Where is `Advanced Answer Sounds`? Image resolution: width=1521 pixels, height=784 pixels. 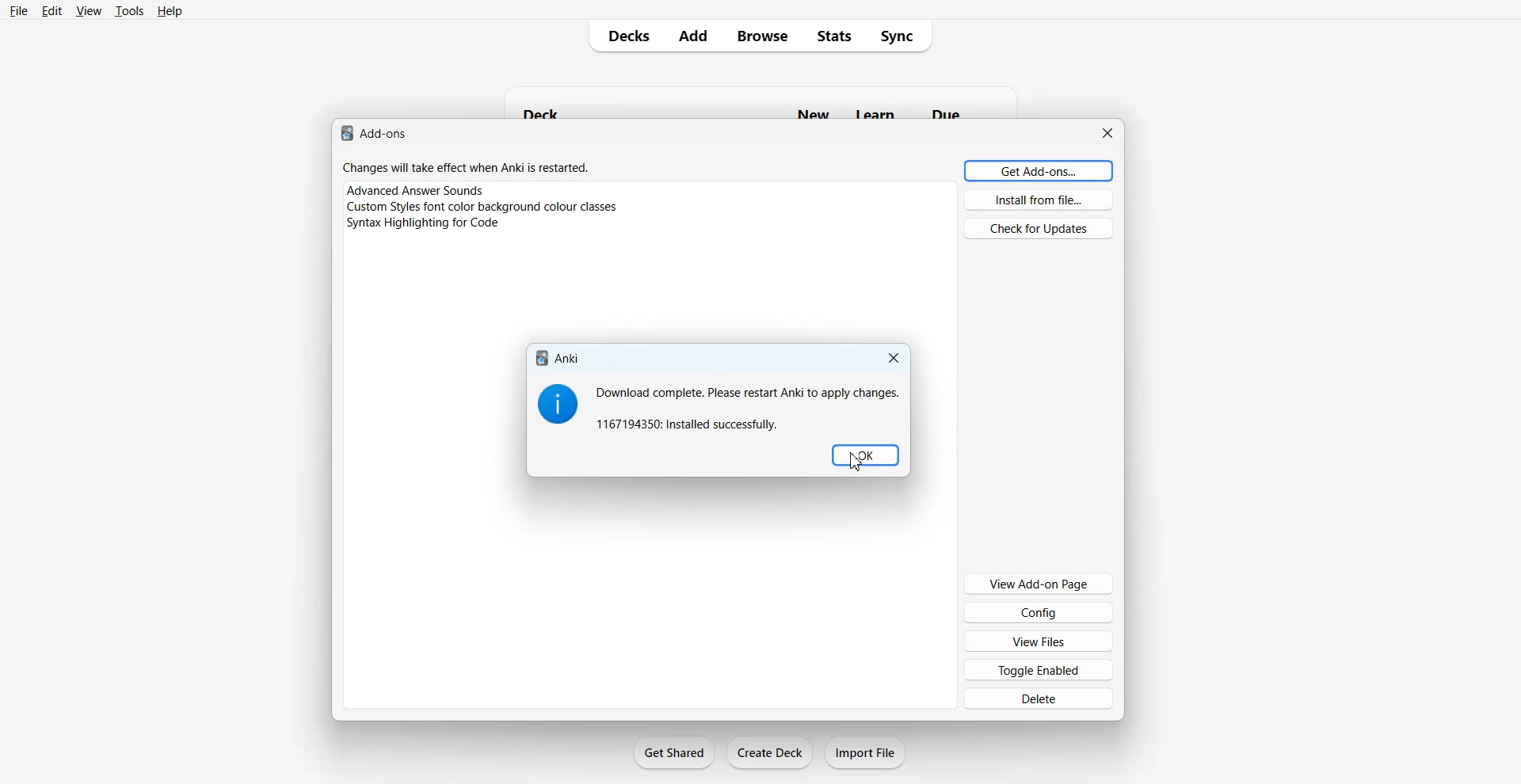 Advanced Answer Sounds is located at coordinates (425, 191).